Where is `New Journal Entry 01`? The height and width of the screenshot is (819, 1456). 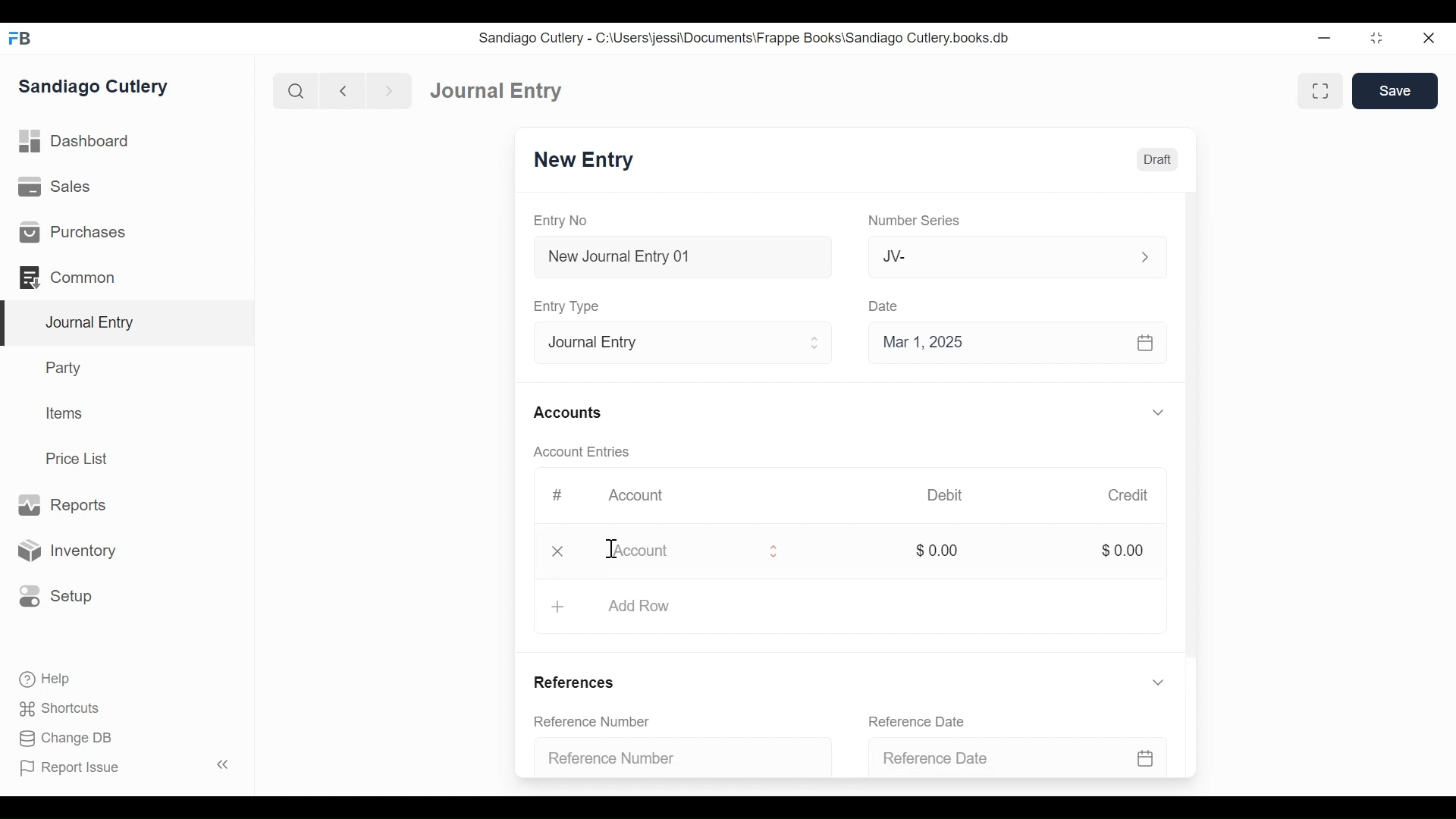
New Journal Entry 01 is located at coordinates (678, 256).